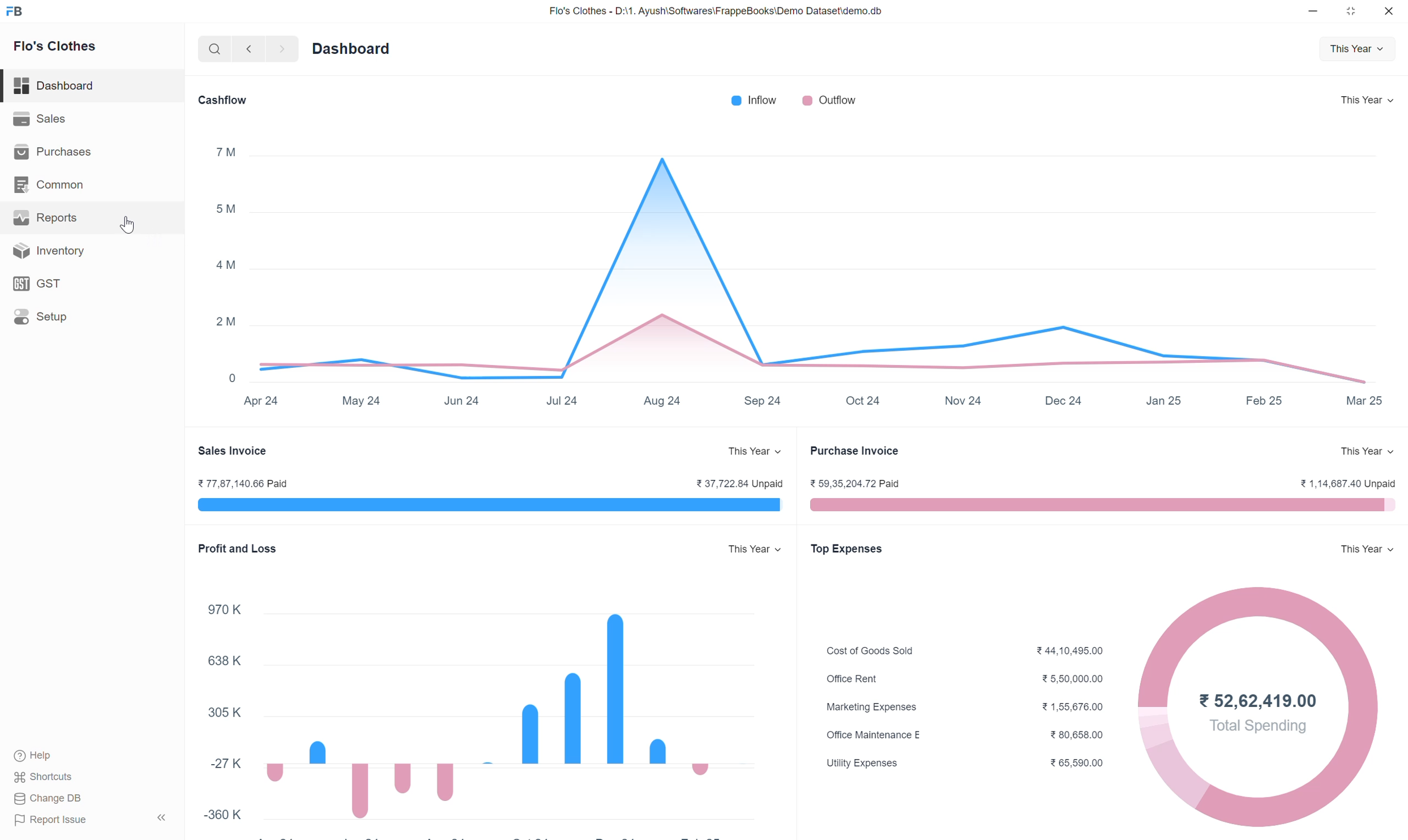 Image resolution: width=1408 pixels, height=840 pixels. What do you see at coordinates (1364, 101) in the screenshot?
I see `This Year ` at bounding box center [1364, 101].